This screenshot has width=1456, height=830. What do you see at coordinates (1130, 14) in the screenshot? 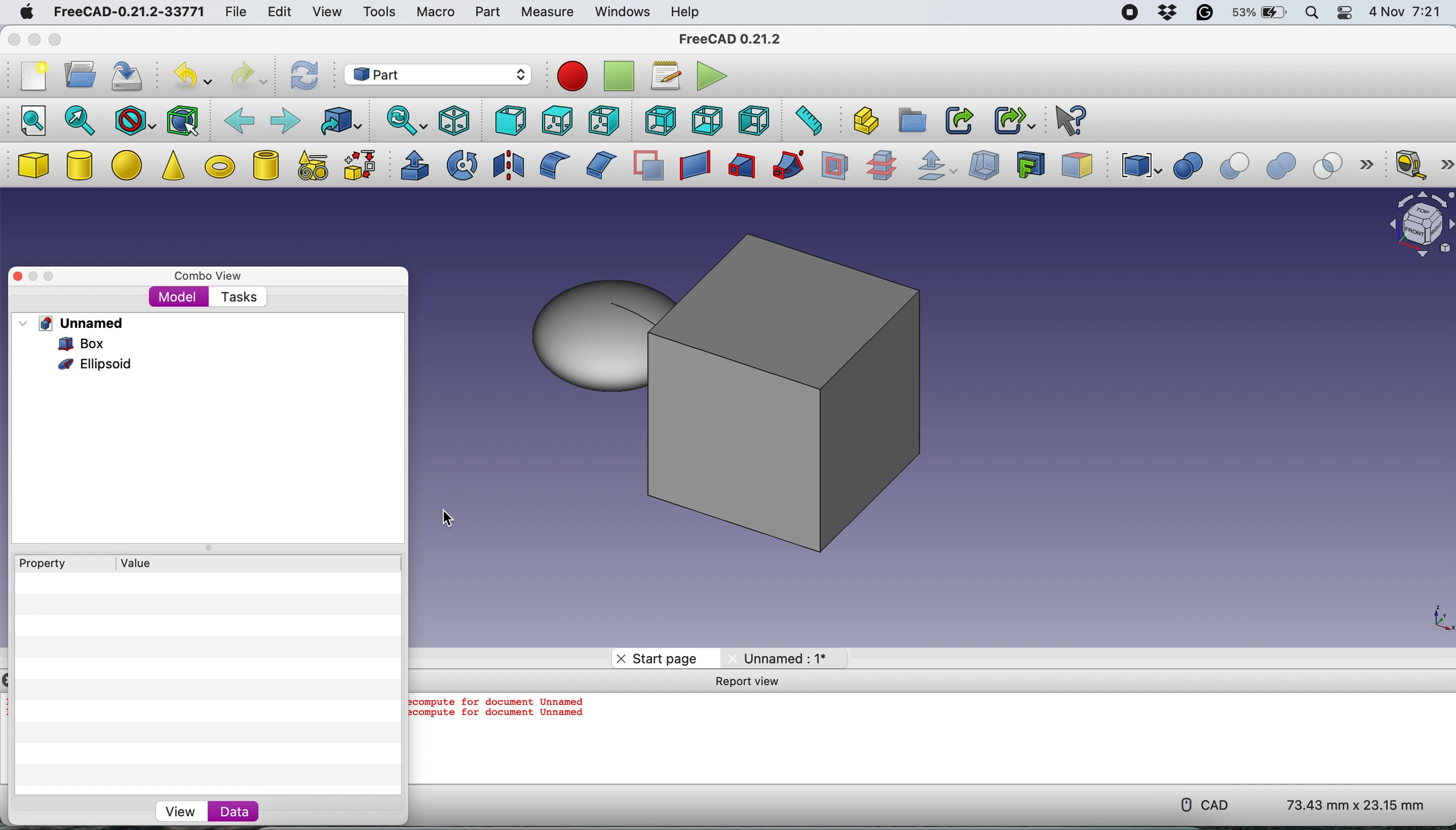
I see `screen recorder` at bounding box center [1130, 14].